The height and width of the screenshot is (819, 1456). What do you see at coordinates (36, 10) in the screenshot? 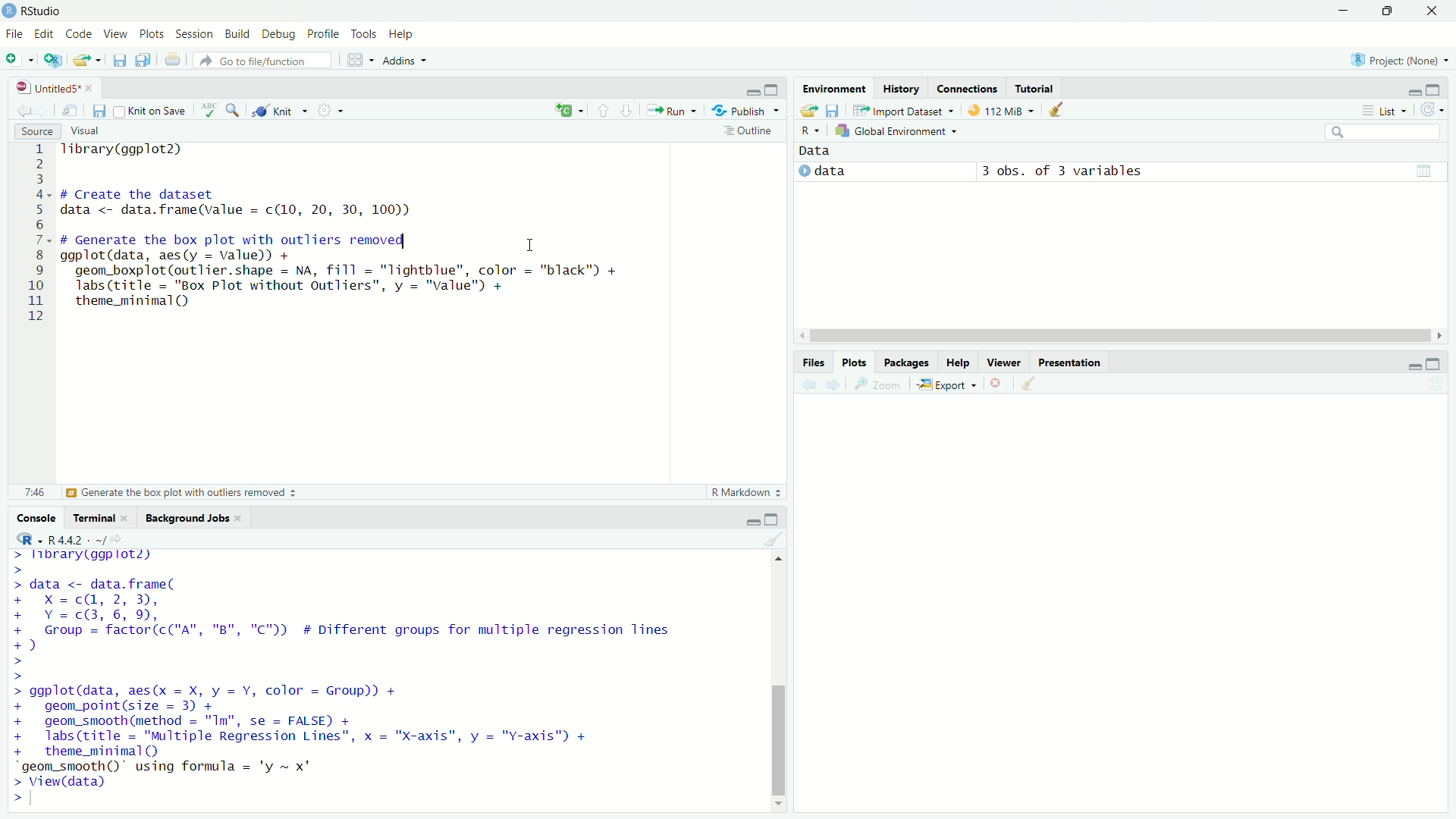
I see `RStudio` at bounding box center [36, 10].